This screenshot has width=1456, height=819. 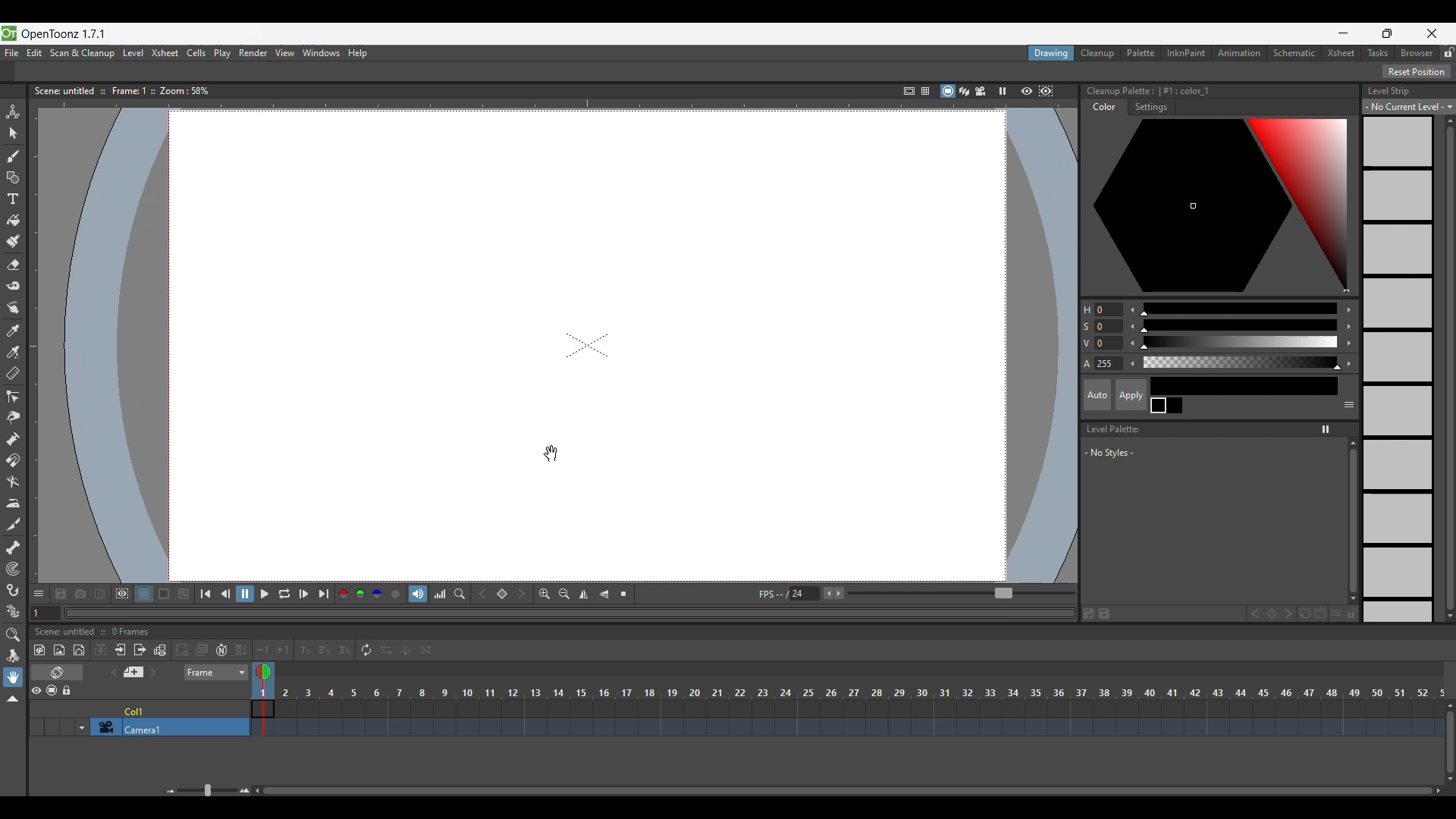 What do you see at coordinates (52, 689) in the screenshot?
I see `Camera stand visibility toggle all` at bounding box center [52, 689].